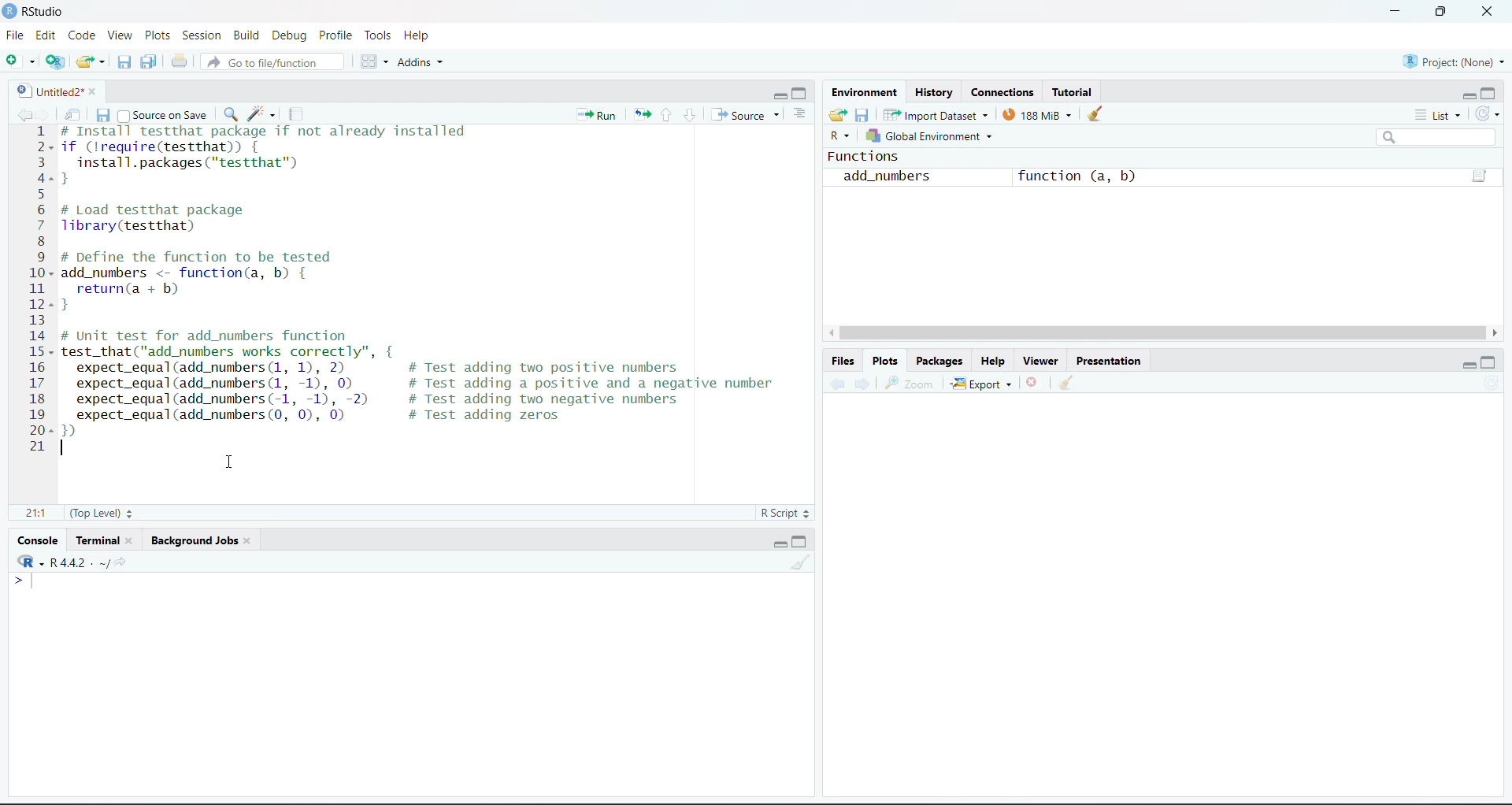 This screenshot has width=1512, height=805. Describe the element at coordinates (780, 93) in the screenshot. I see `minimize` at that location.